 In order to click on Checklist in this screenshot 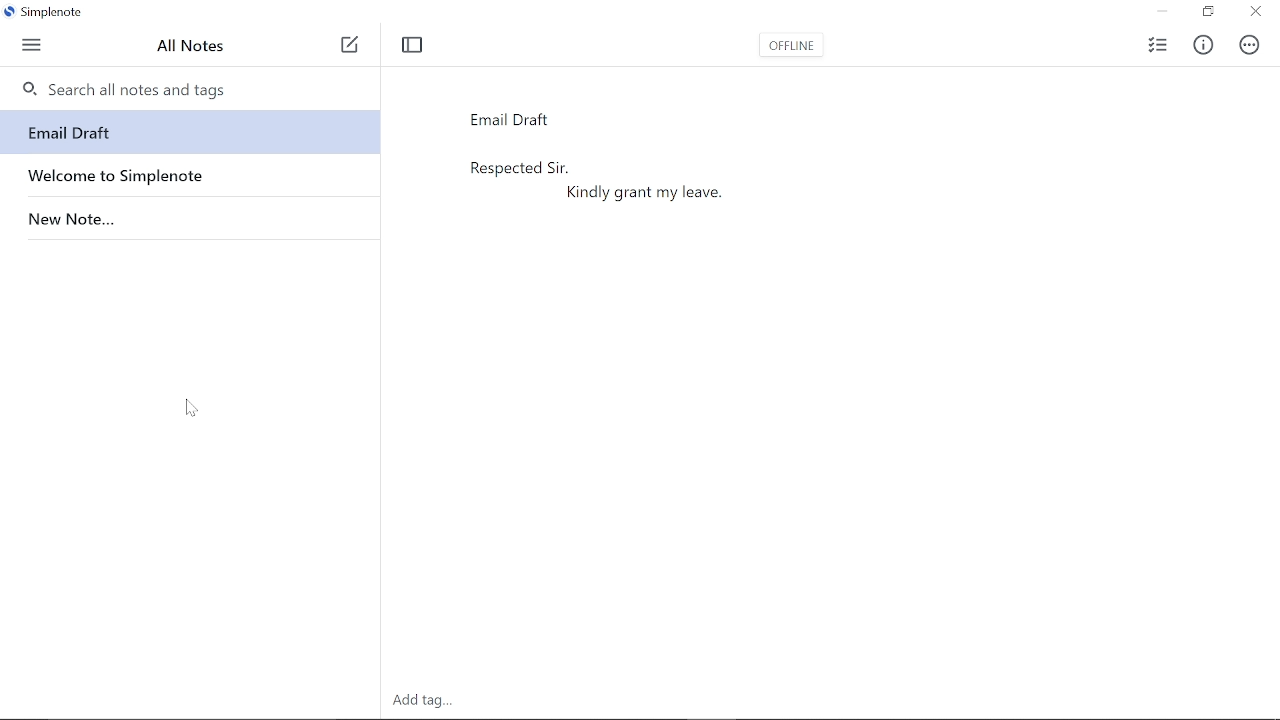, I will do `click(1157, 45)`.